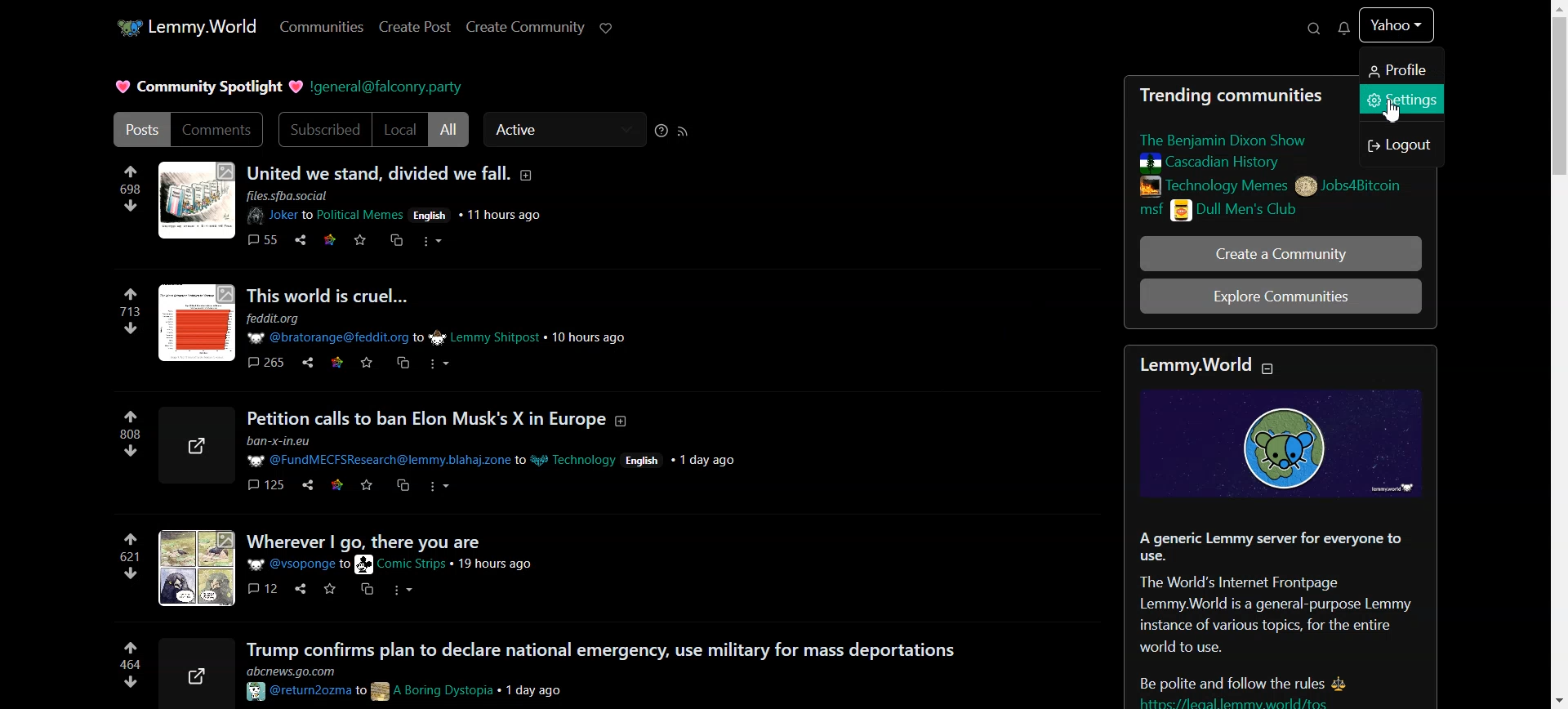  Describe the element at coordinates (1401, 145) in the screenshot. I see `Logout` at that location.